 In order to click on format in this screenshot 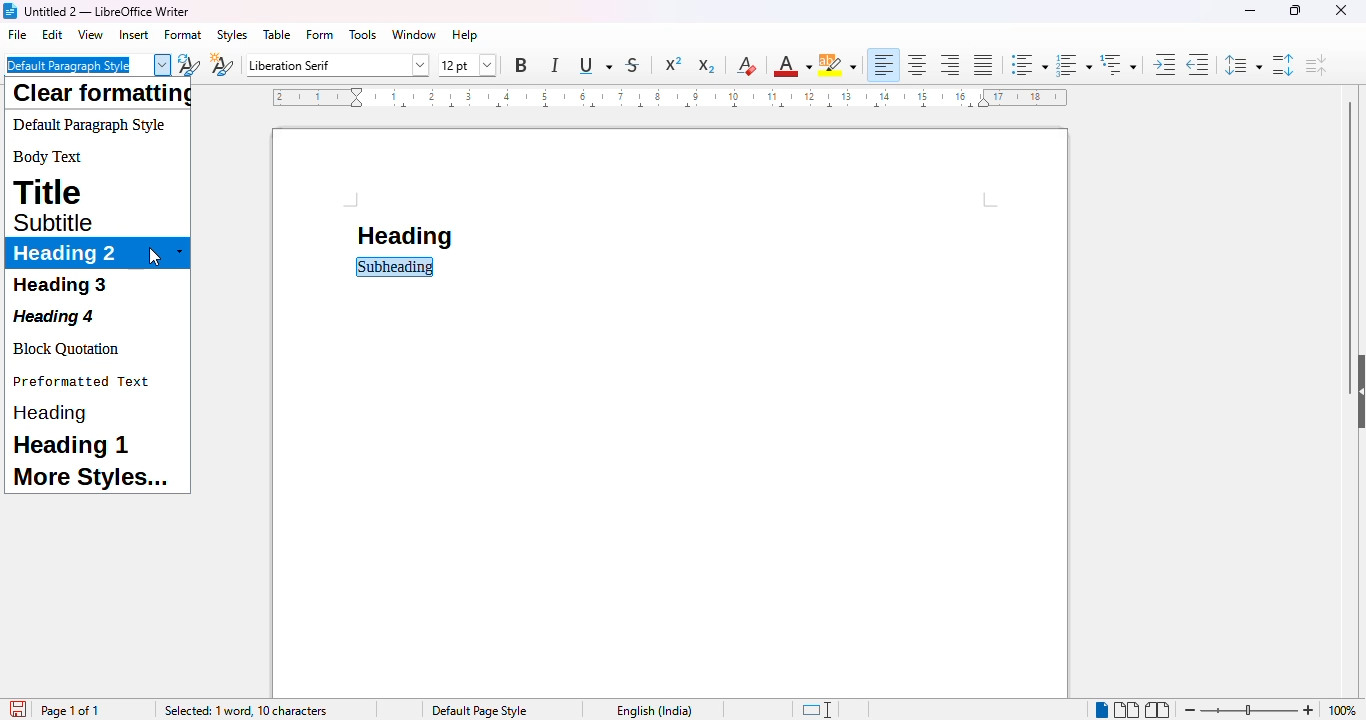, I will do `click(184, 35)`.